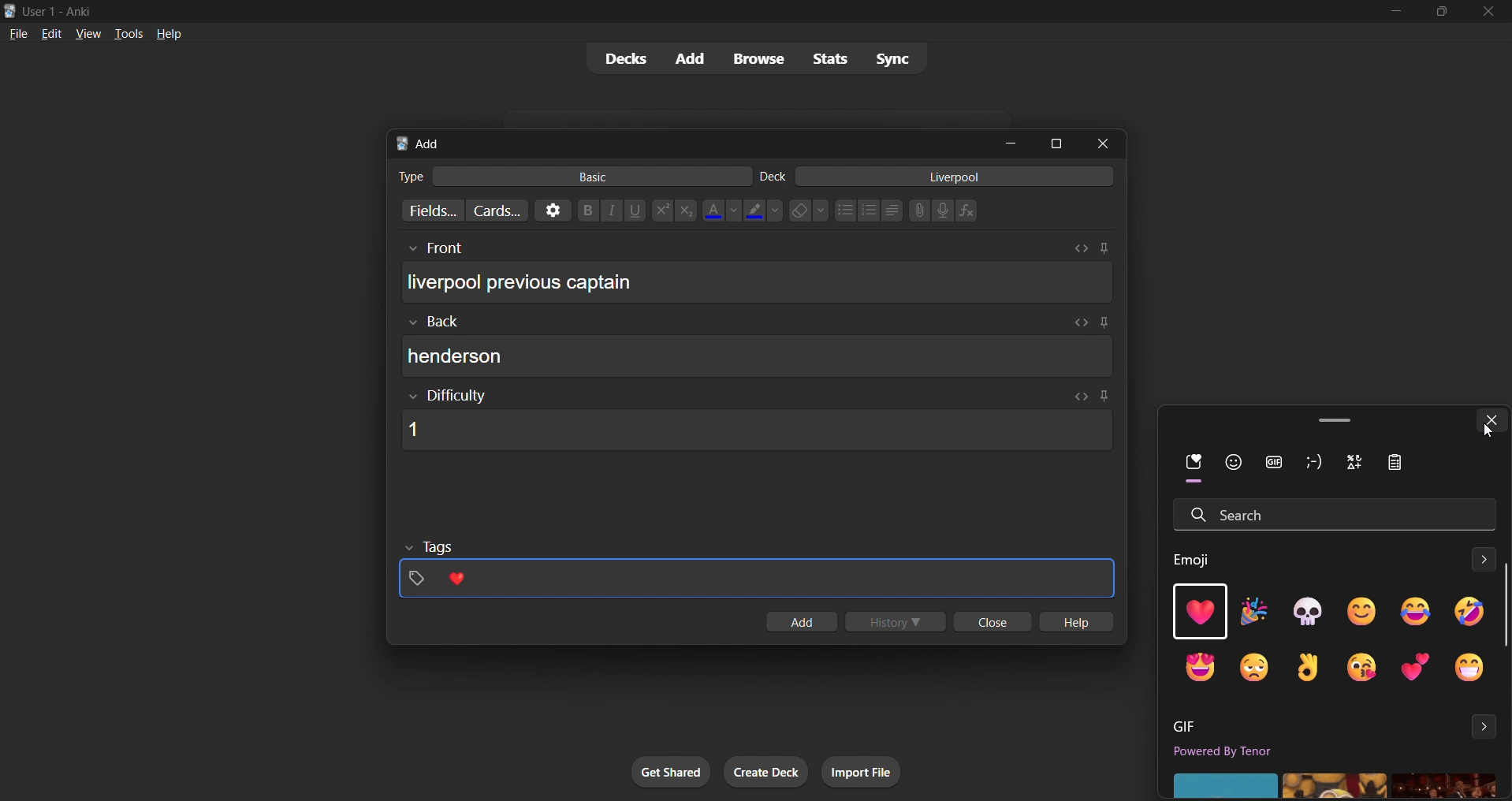 The width and height of the screenshot is (1512, 801). I want to click on recent emoji filter, so click(1182, 470).